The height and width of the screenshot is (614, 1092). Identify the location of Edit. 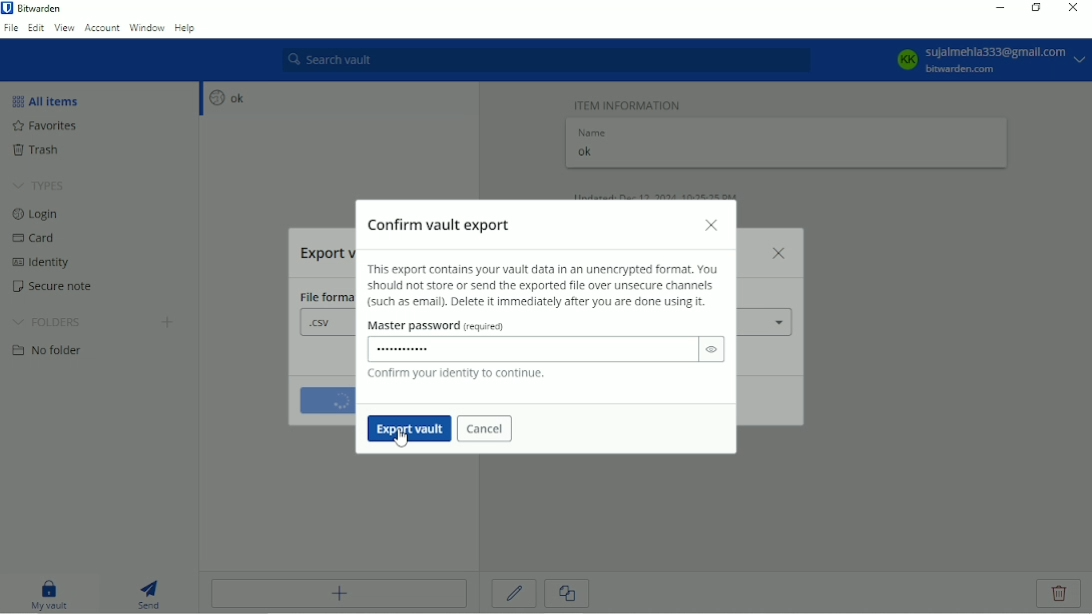
(515, 593).